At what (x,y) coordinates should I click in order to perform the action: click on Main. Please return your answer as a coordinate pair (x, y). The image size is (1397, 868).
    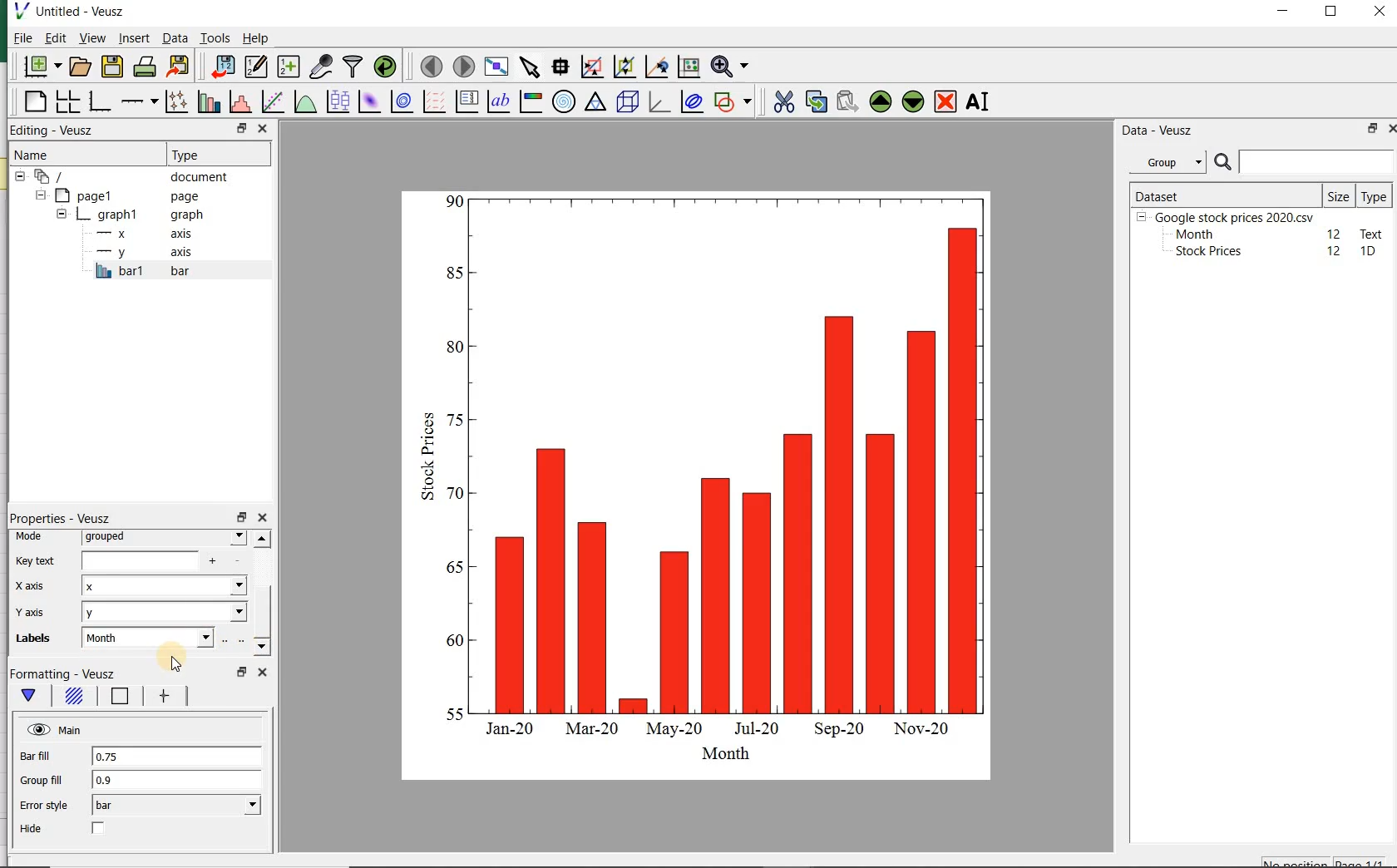
    Looking at the image, I should click on (56, 729).